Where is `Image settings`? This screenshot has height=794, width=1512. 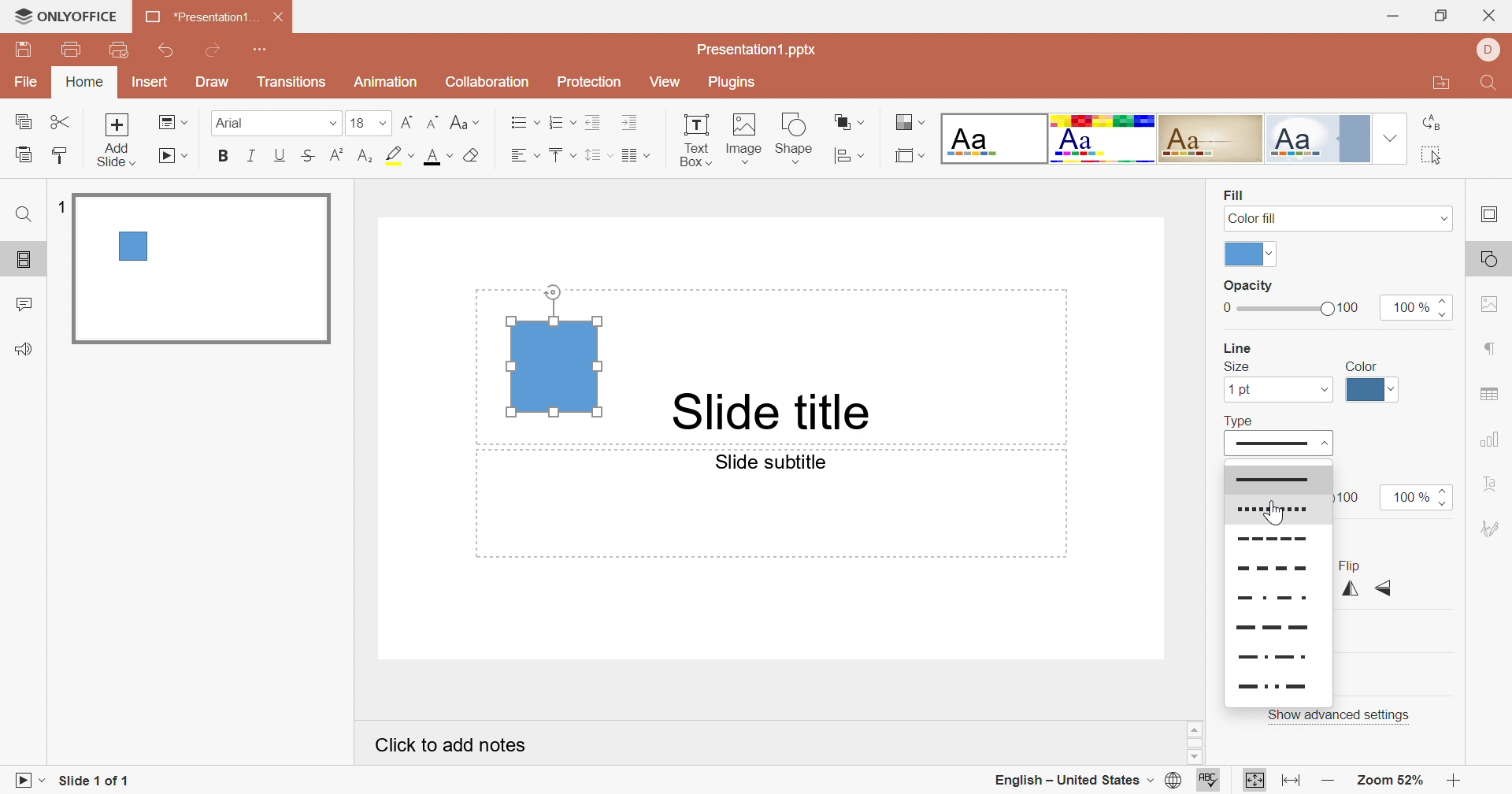
Image settings is located at coordinates (1490, 307).